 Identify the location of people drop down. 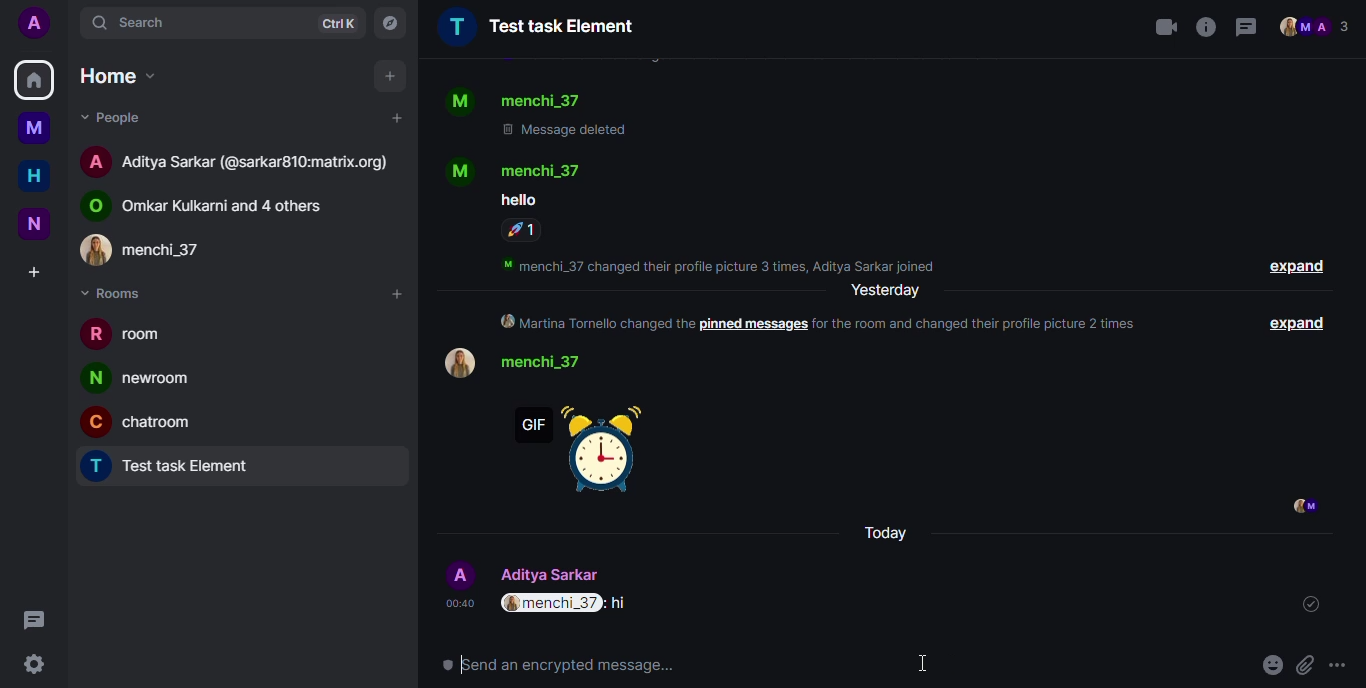
(117, 118).